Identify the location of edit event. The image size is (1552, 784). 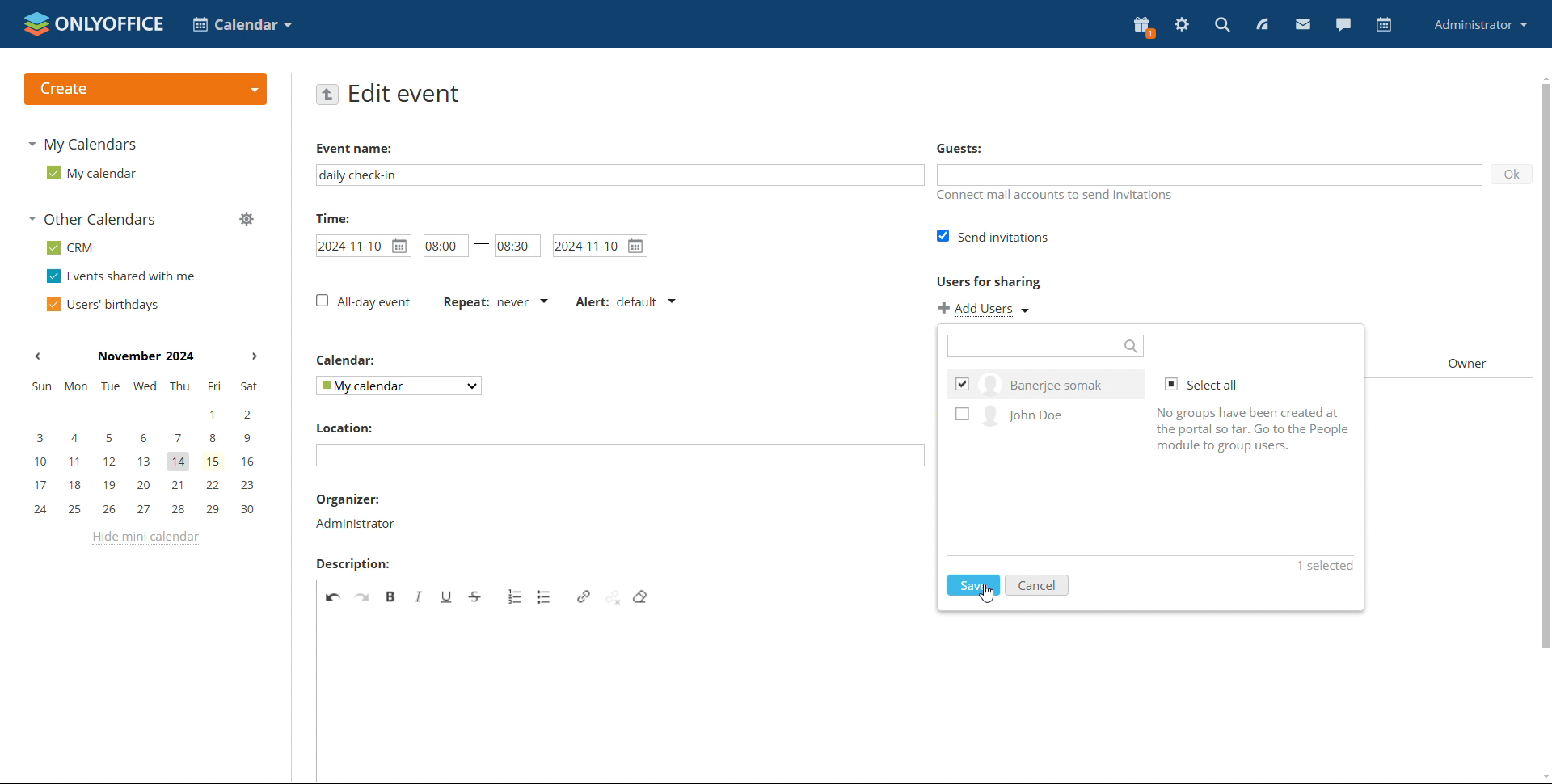
(406, 94).